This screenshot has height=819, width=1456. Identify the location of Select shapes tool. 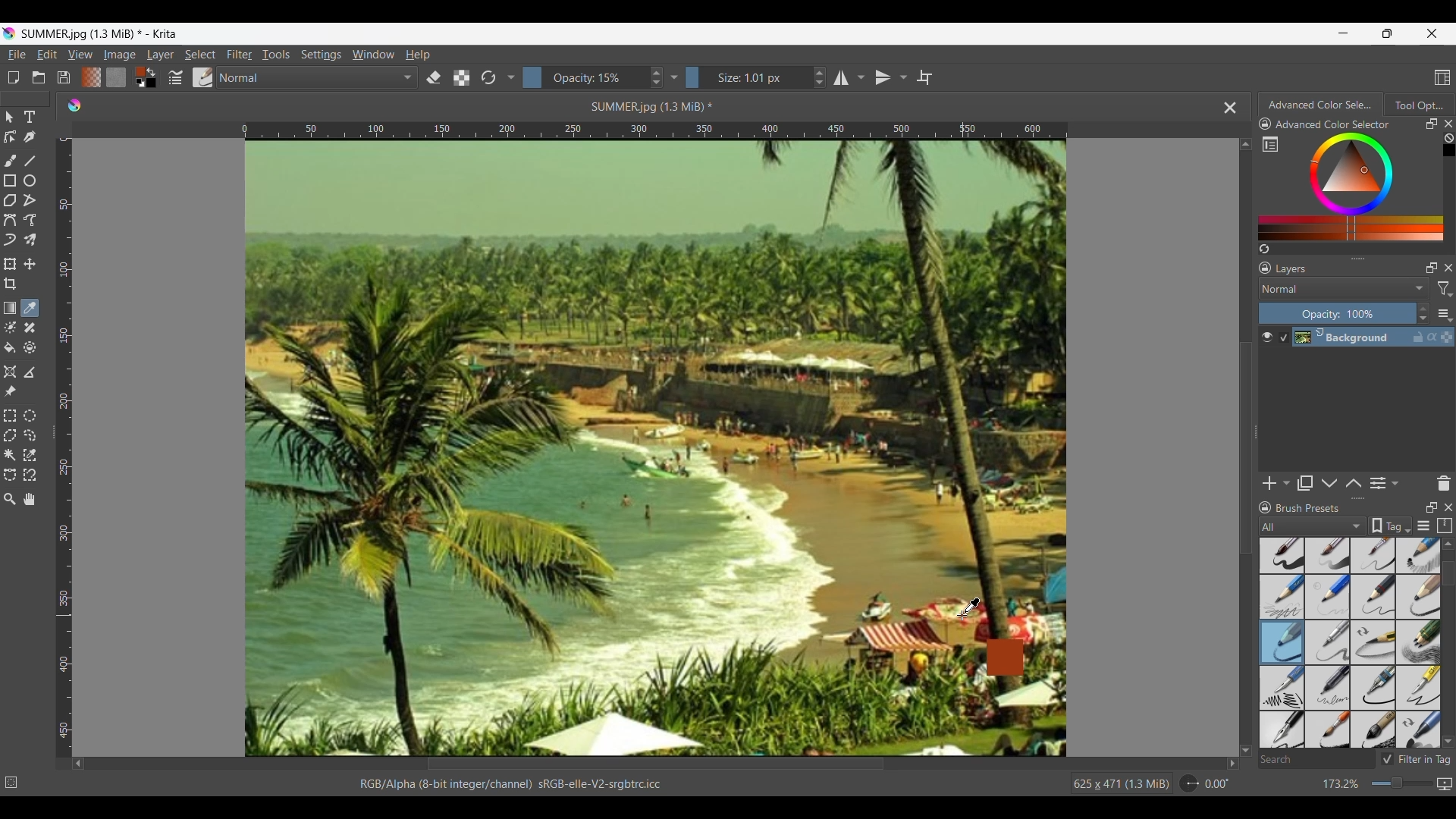
(10, 117).